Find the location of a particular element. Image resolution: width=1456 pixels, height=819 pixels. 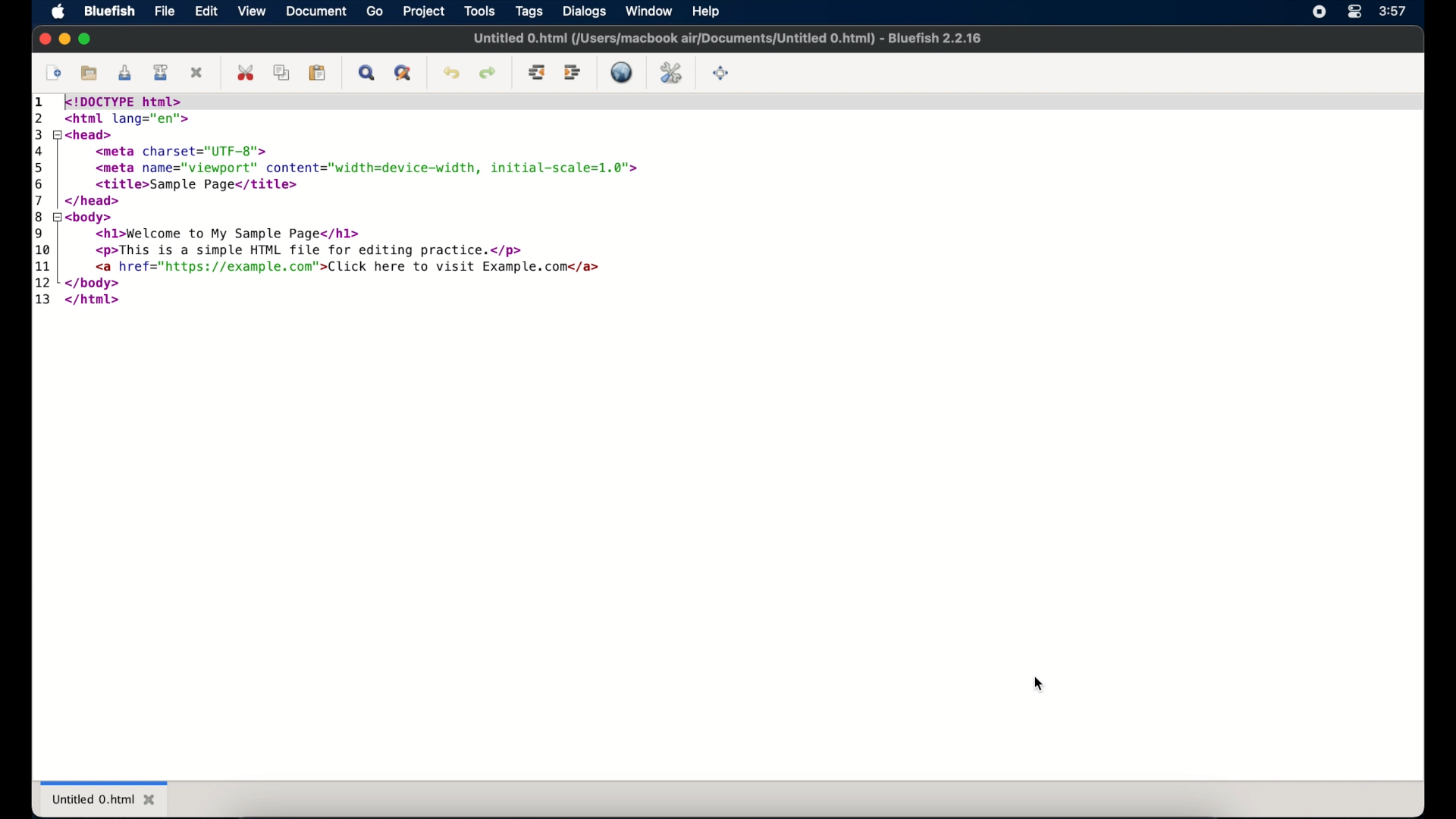

tools is located at coordinates (479, 11).